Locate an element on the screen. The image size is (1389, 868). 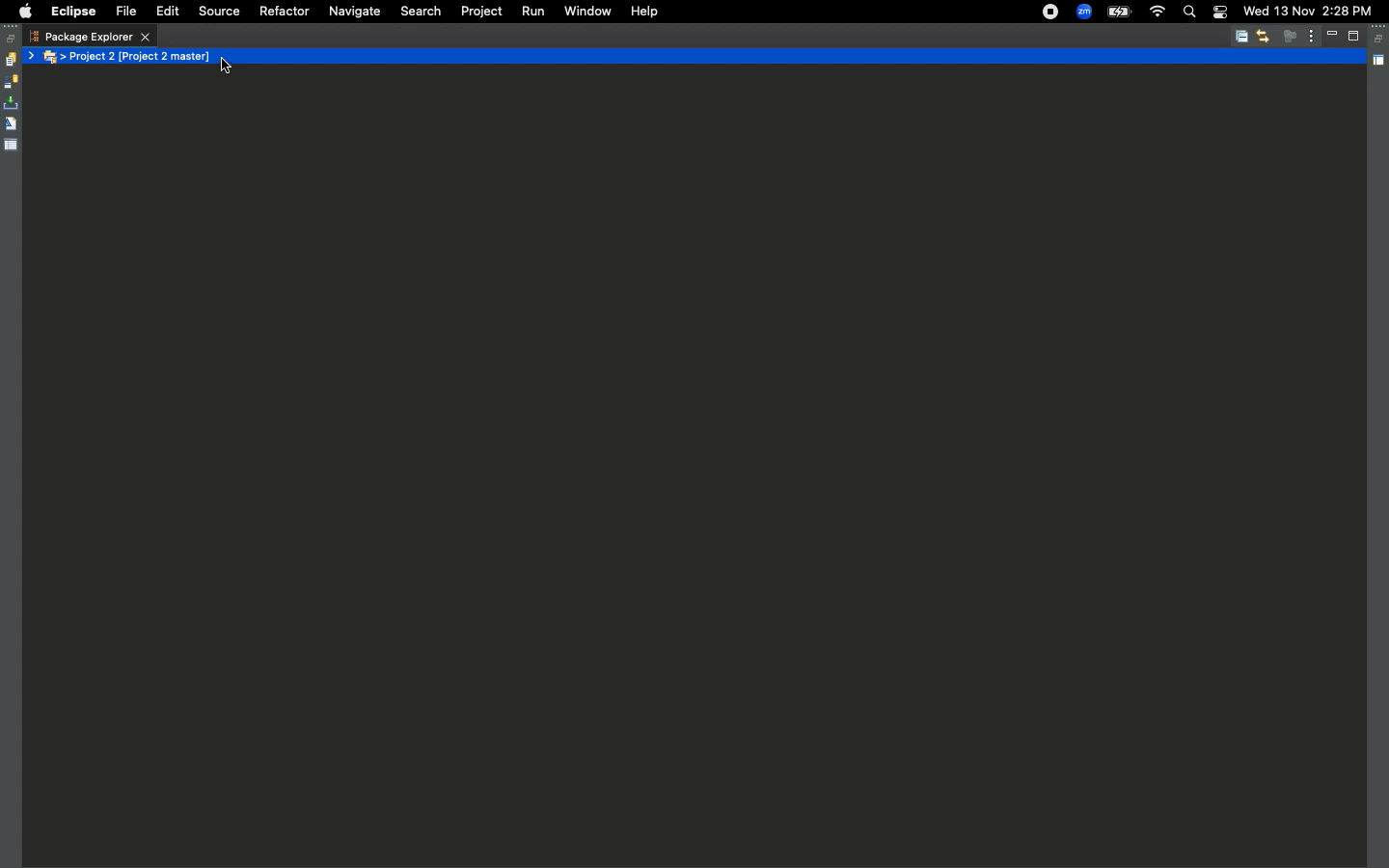
Internet is located at coordinates (1157, 13).